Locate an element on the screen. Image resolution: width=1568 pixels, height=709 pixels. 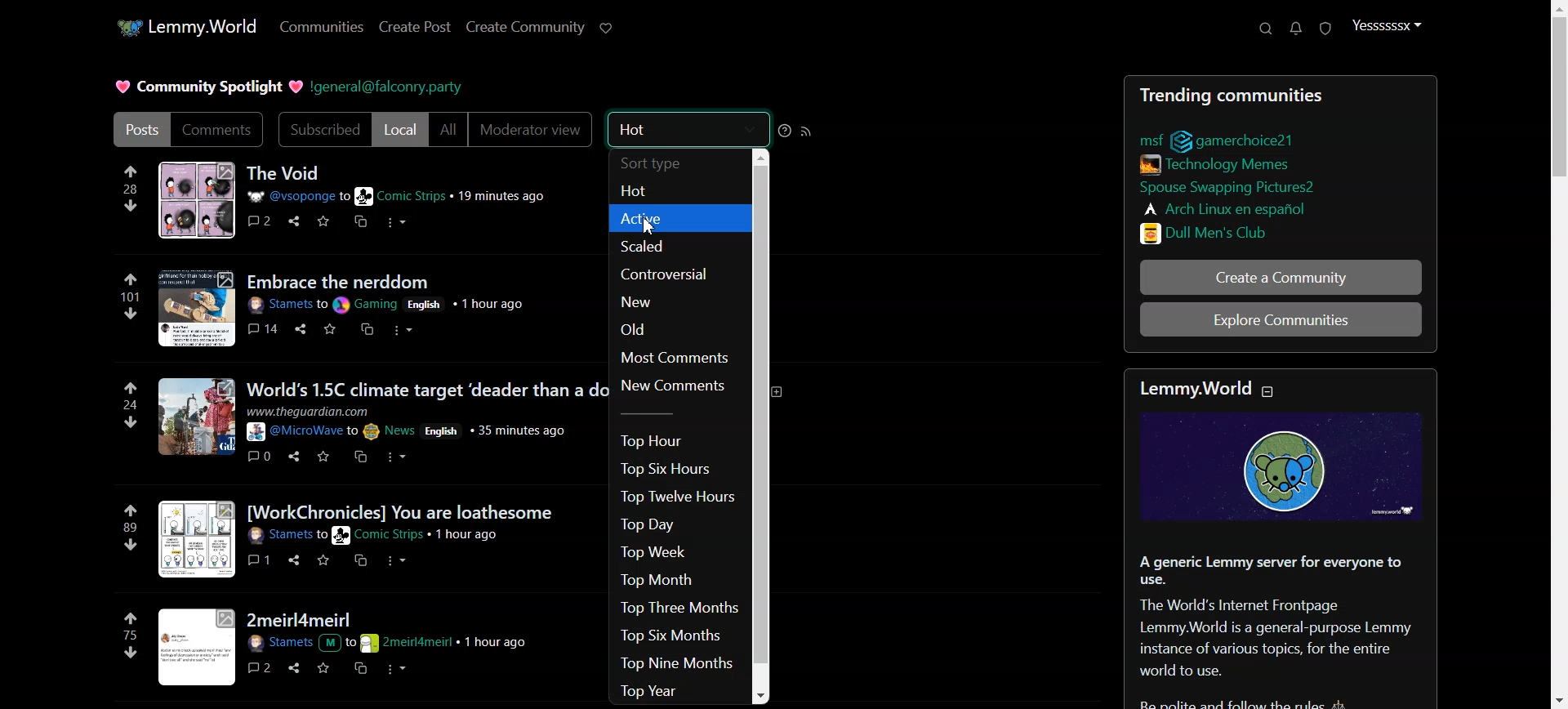
Moderator view is located at coordinates (532, 131).